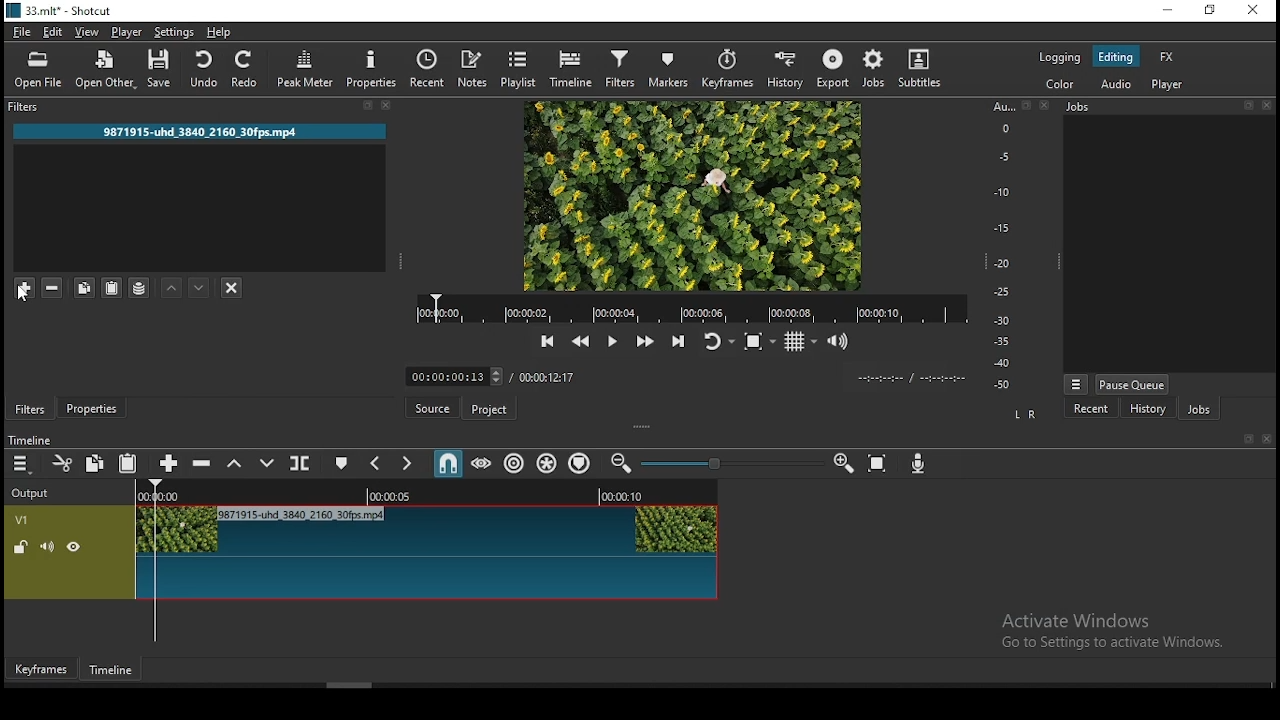 The image size is (1280, 720). Describe the element at coordinates (1043, 105) in the screenshot. I see `close` at that location.